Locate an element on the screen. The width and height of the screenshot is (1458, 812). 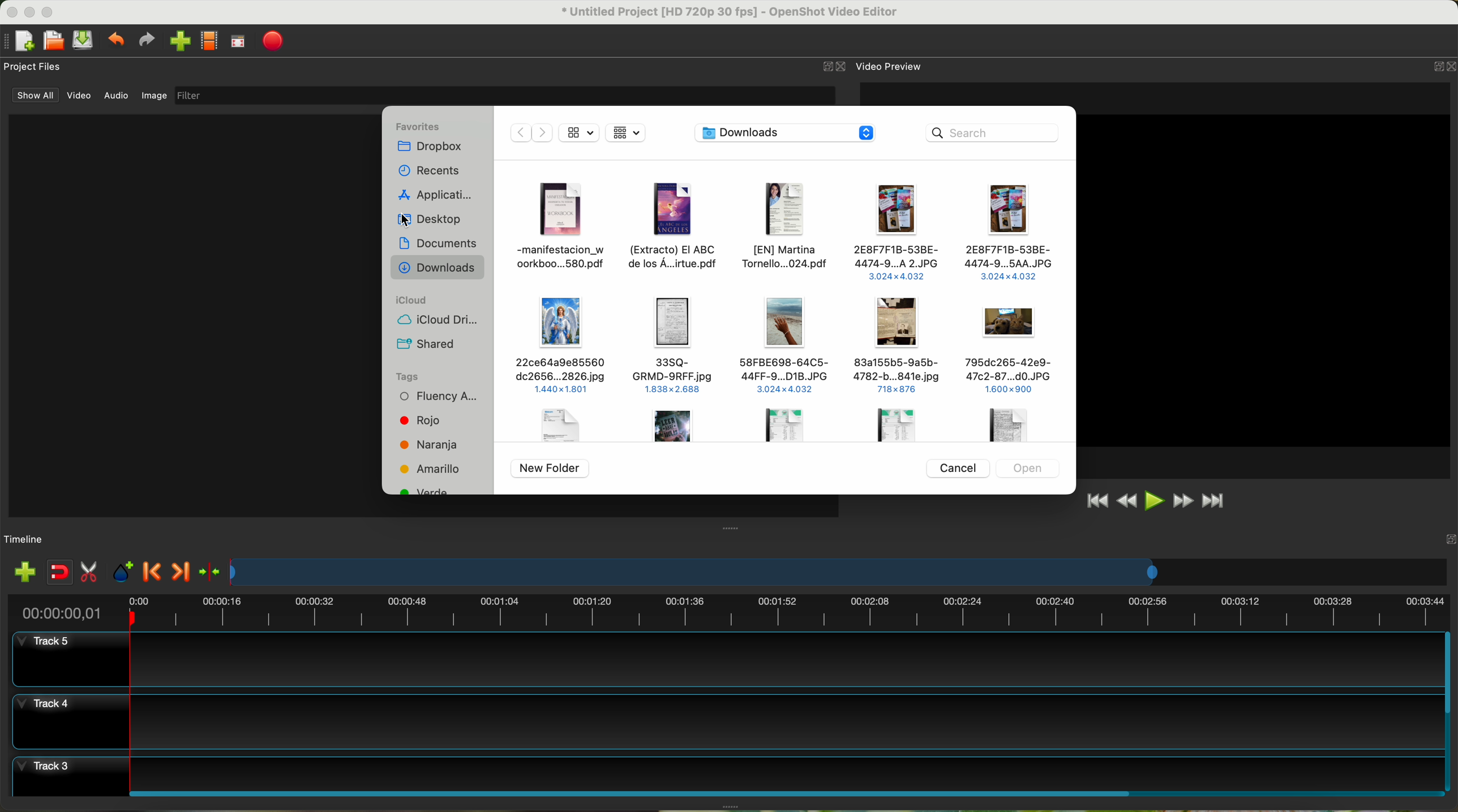
click on import file is located at coordinates (177, 37).